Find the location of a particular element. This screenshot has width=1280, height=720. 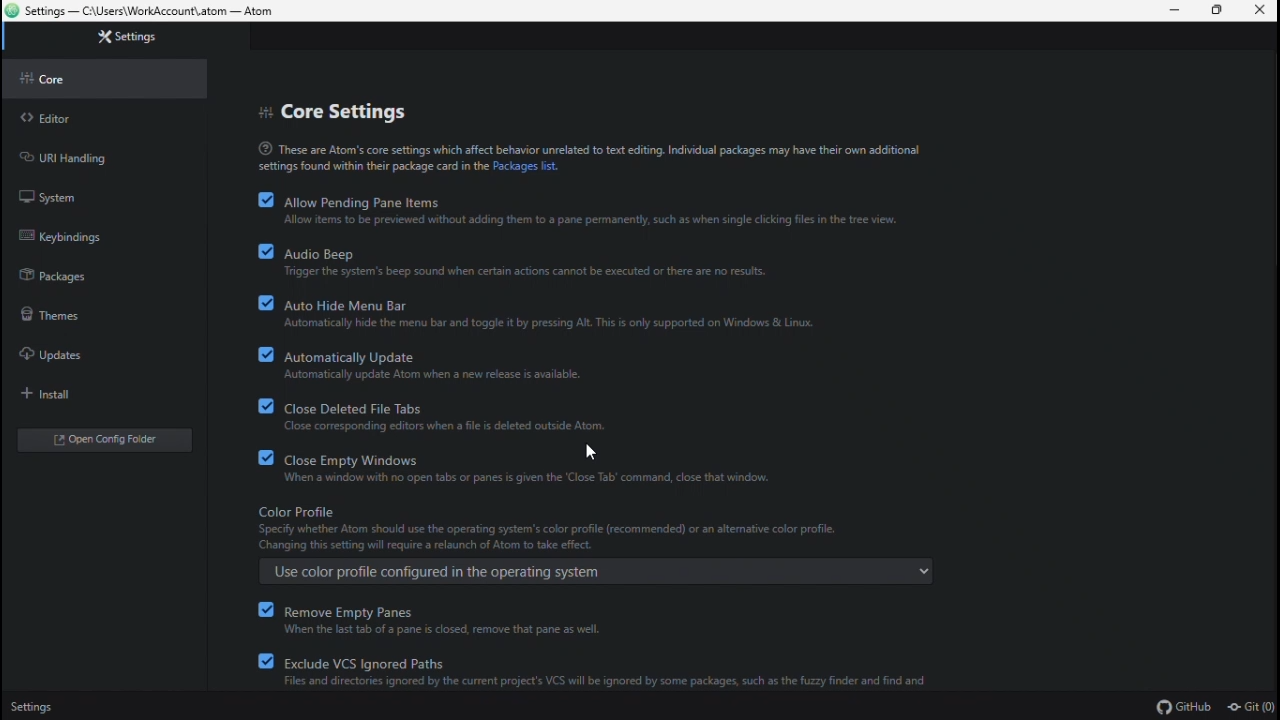

install is located at coordinates (87, 396).